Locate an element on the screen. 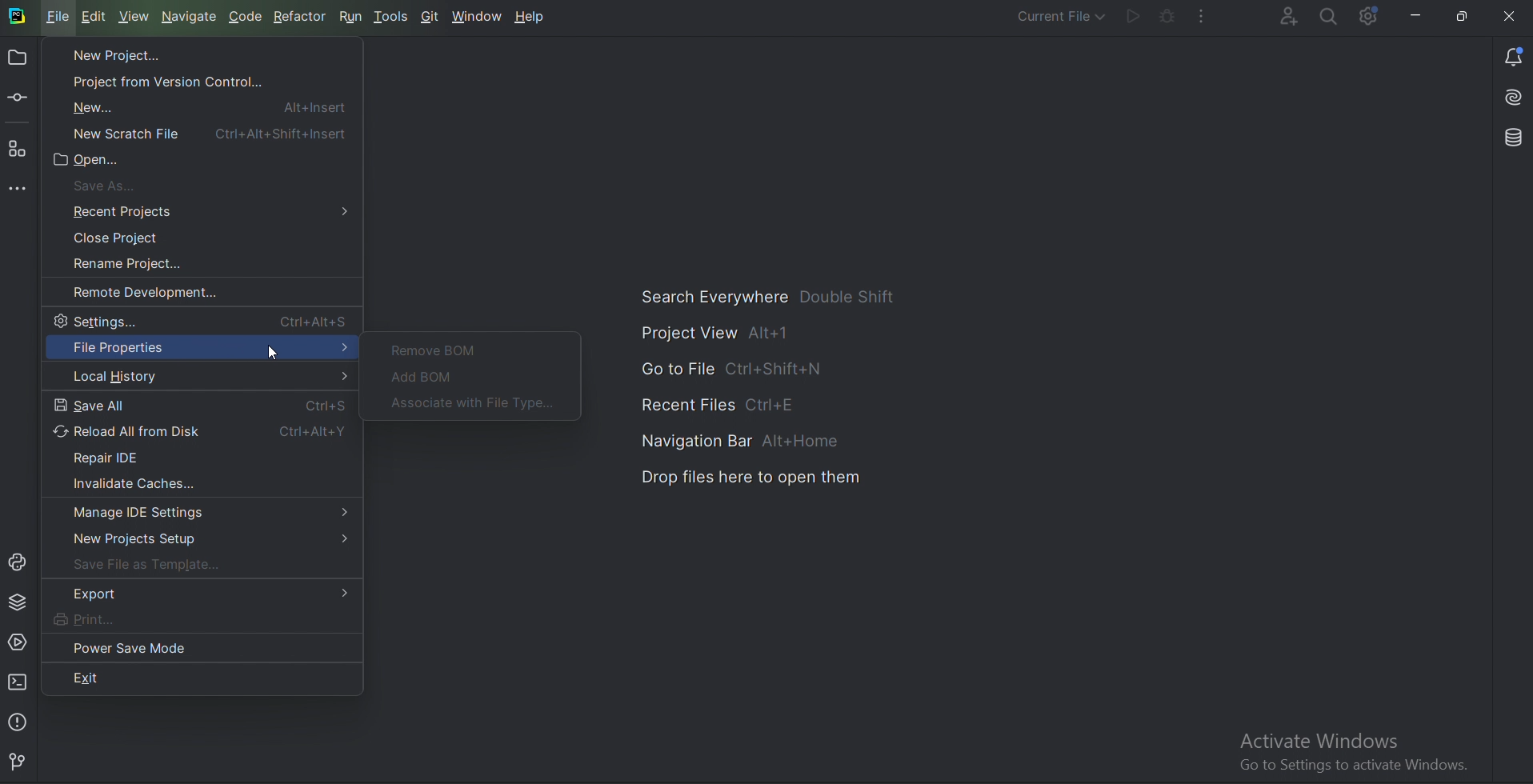 The height and width of the screenshot is (784, 1533). Go to File Ctrl+Shift+N is located at coordinates (738, 370).